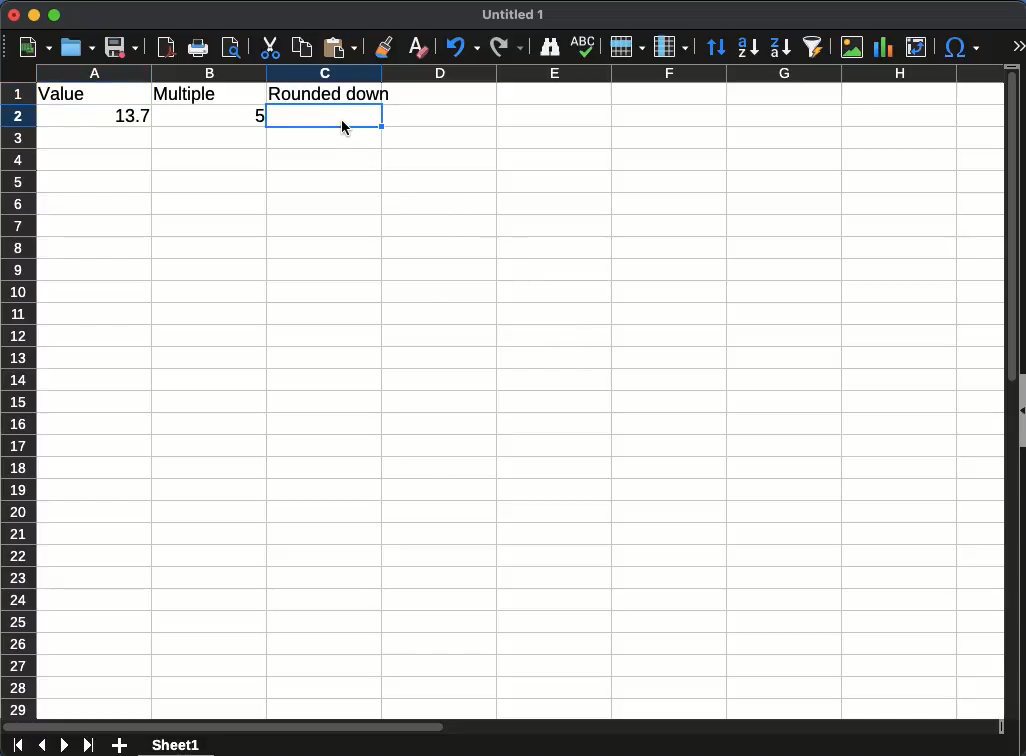  Describe the element at coordinates (331, 93) in the screenshot. I see `rounded down` at that location.